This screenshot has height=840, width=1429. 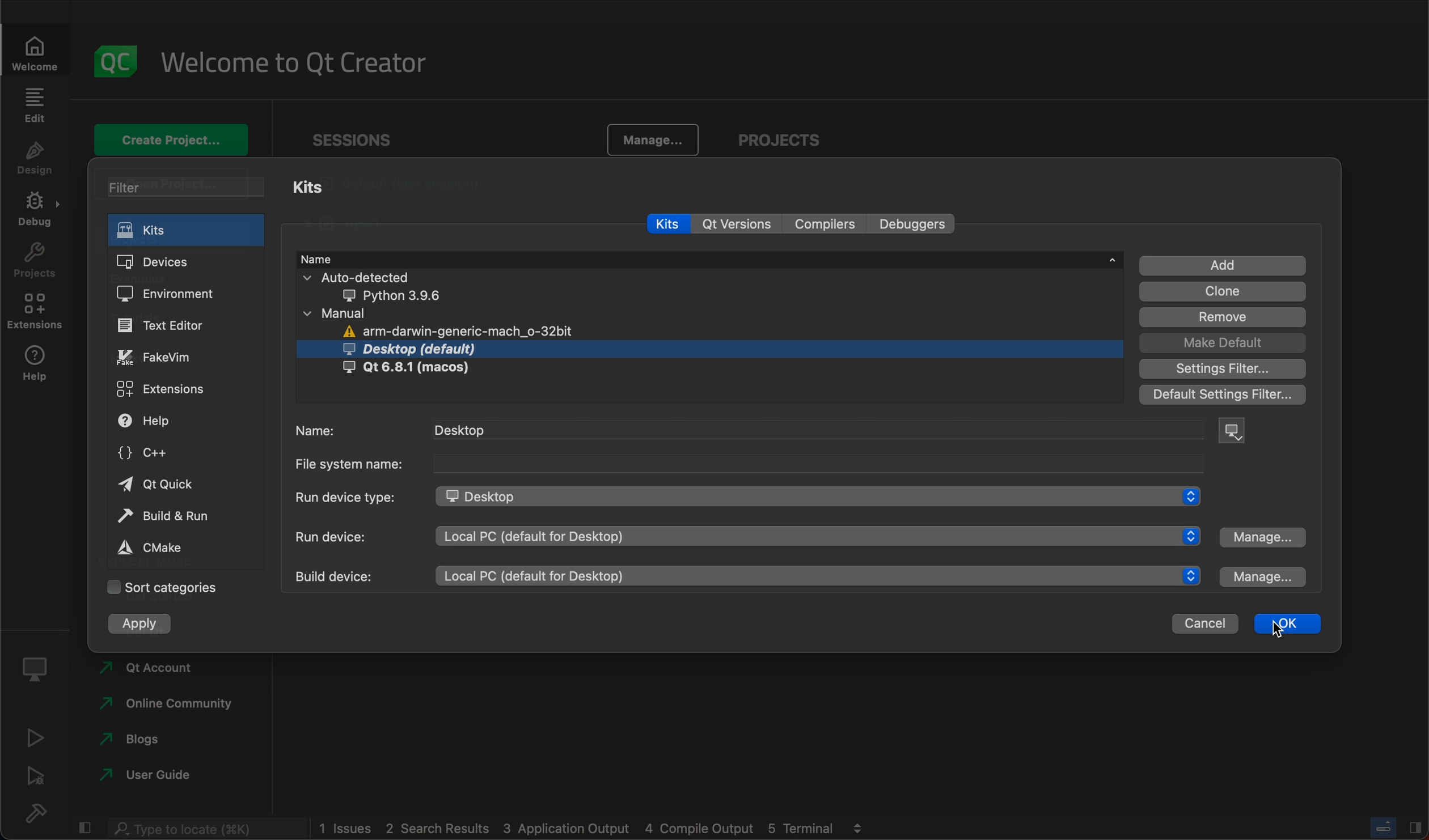 What do you see at coordinates (356, 313) in the screenshot?
I see `manual` at bounding box center [356, 313].